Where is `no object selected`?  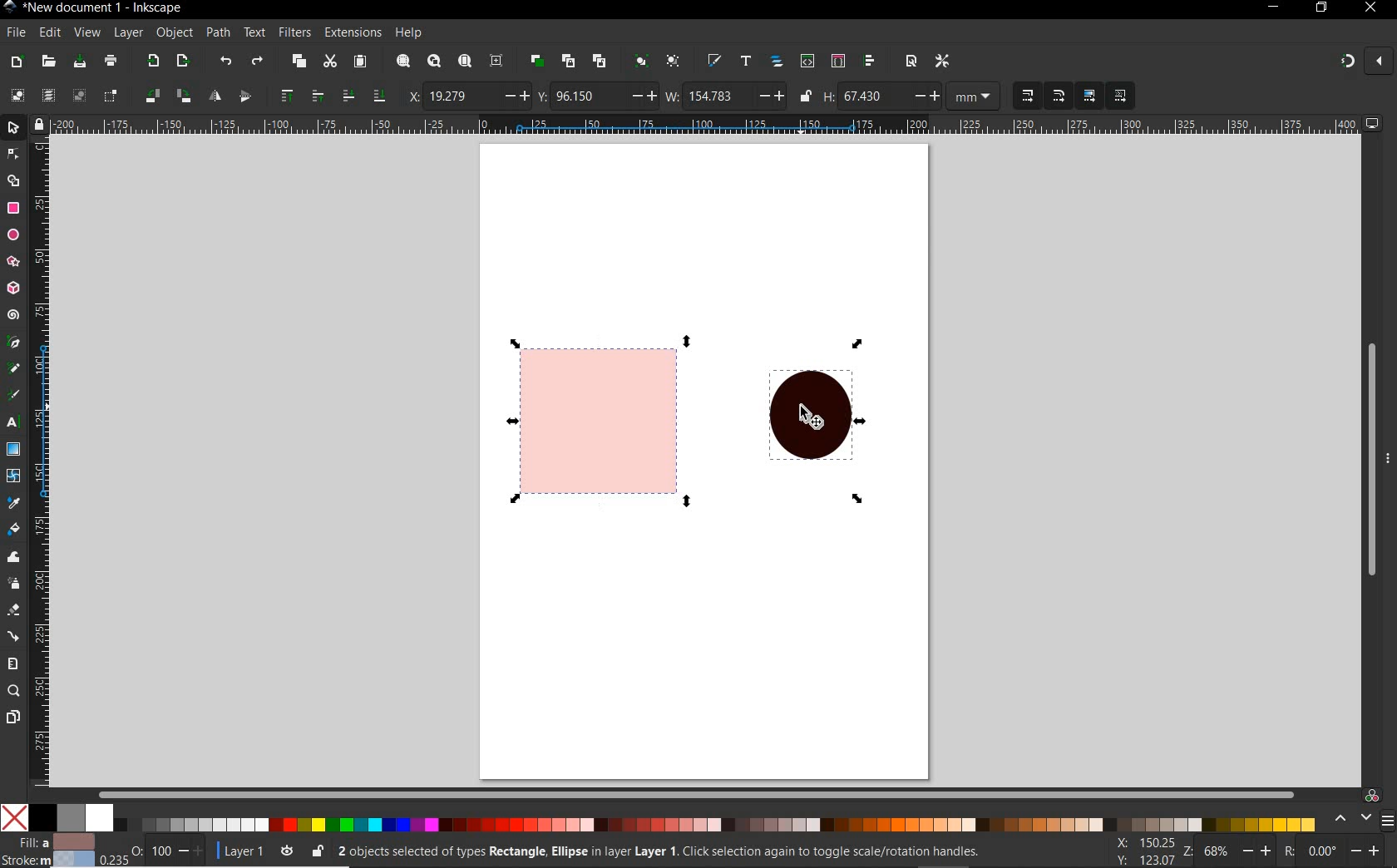 no object selected is located at coordinates (679, 854).